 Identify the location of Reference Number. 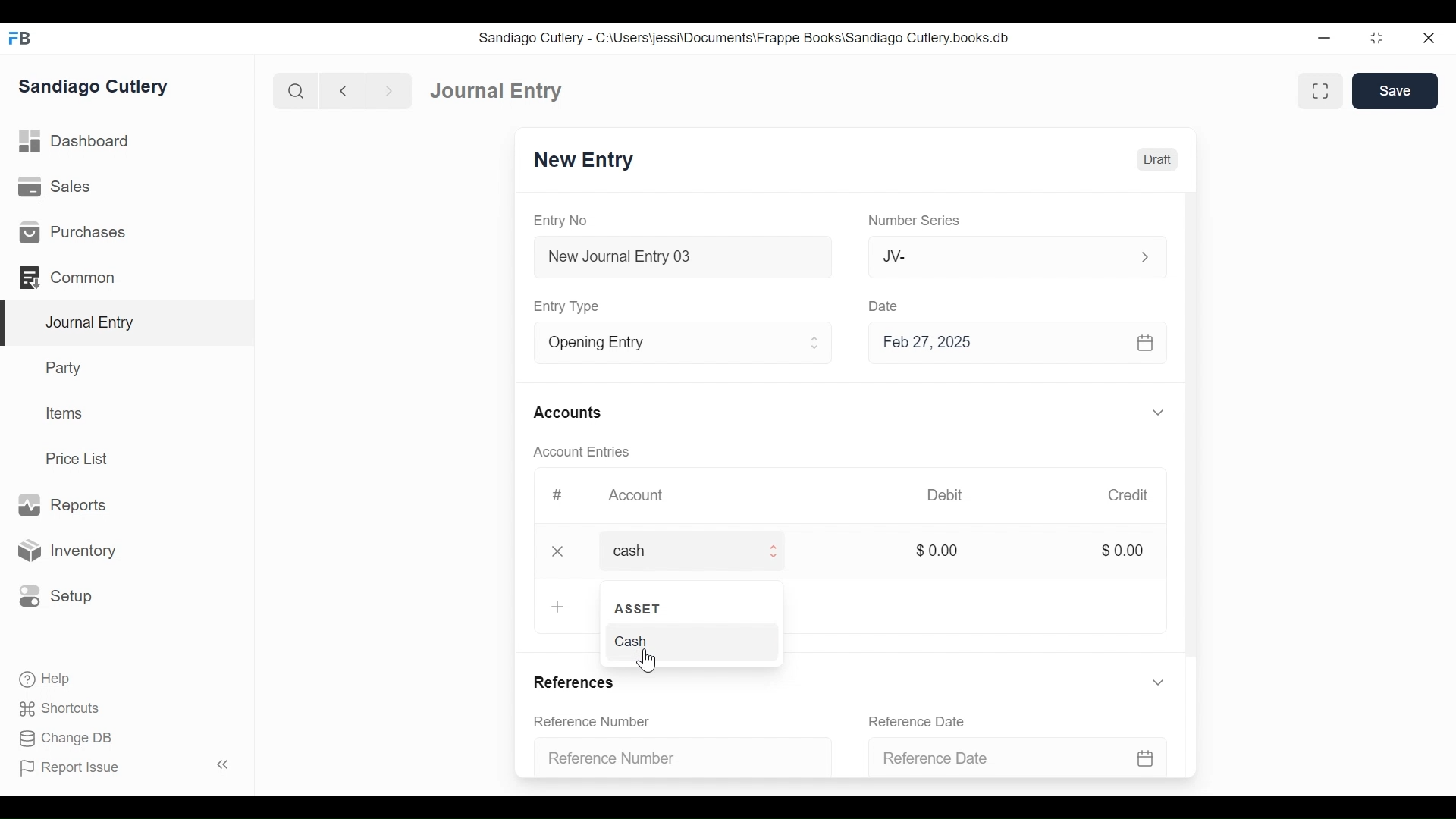
(592, 723).